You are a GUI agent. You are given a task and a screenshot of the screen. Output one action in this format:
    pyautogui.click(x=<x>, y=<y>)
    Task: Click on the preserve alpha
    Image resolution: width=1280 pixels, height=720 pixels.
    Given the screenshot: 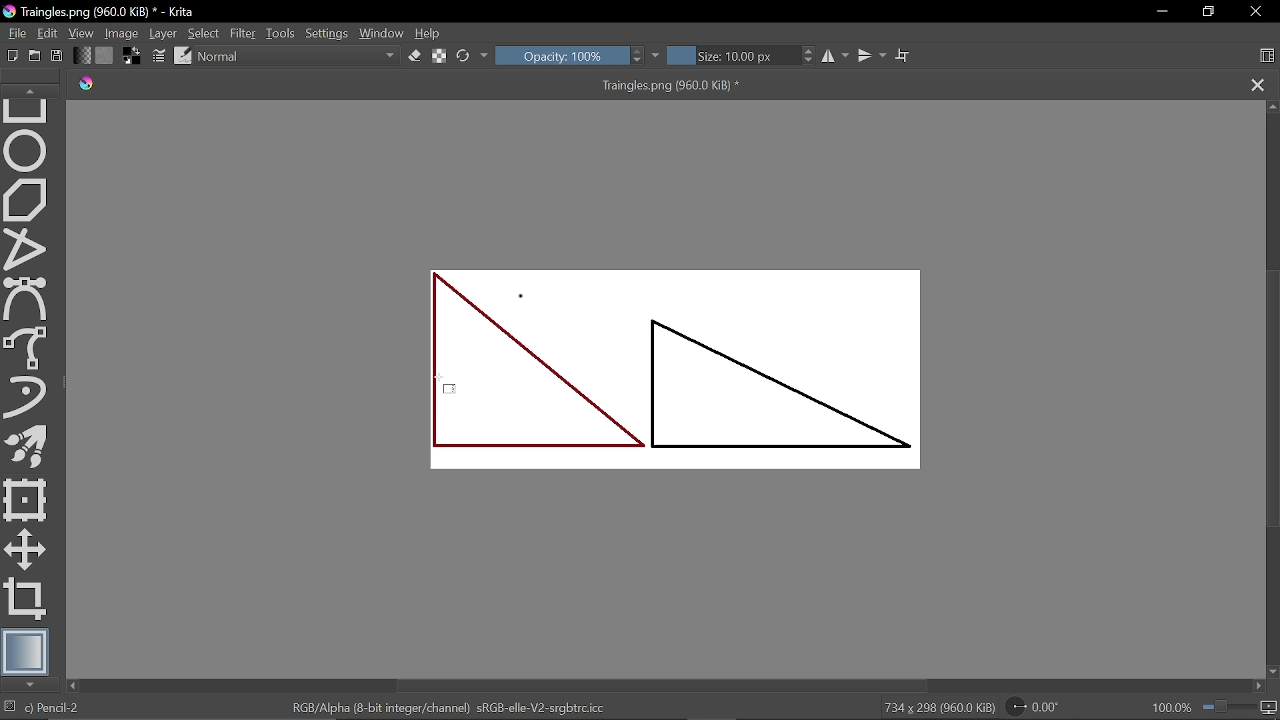 What is the action you would take?
    pyautogui.click(x=440, y=58)
    